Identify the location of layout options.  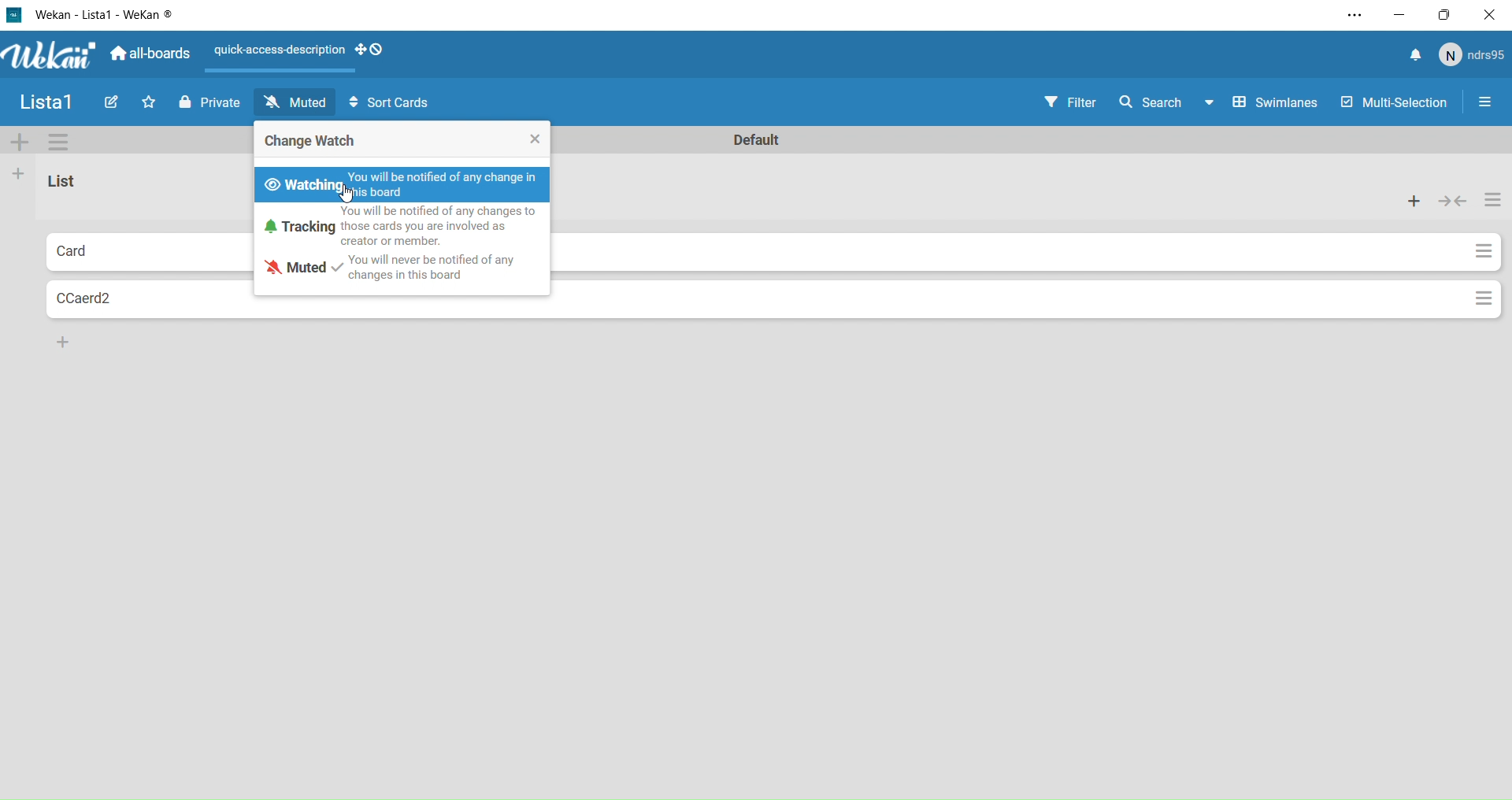
(302, 56).